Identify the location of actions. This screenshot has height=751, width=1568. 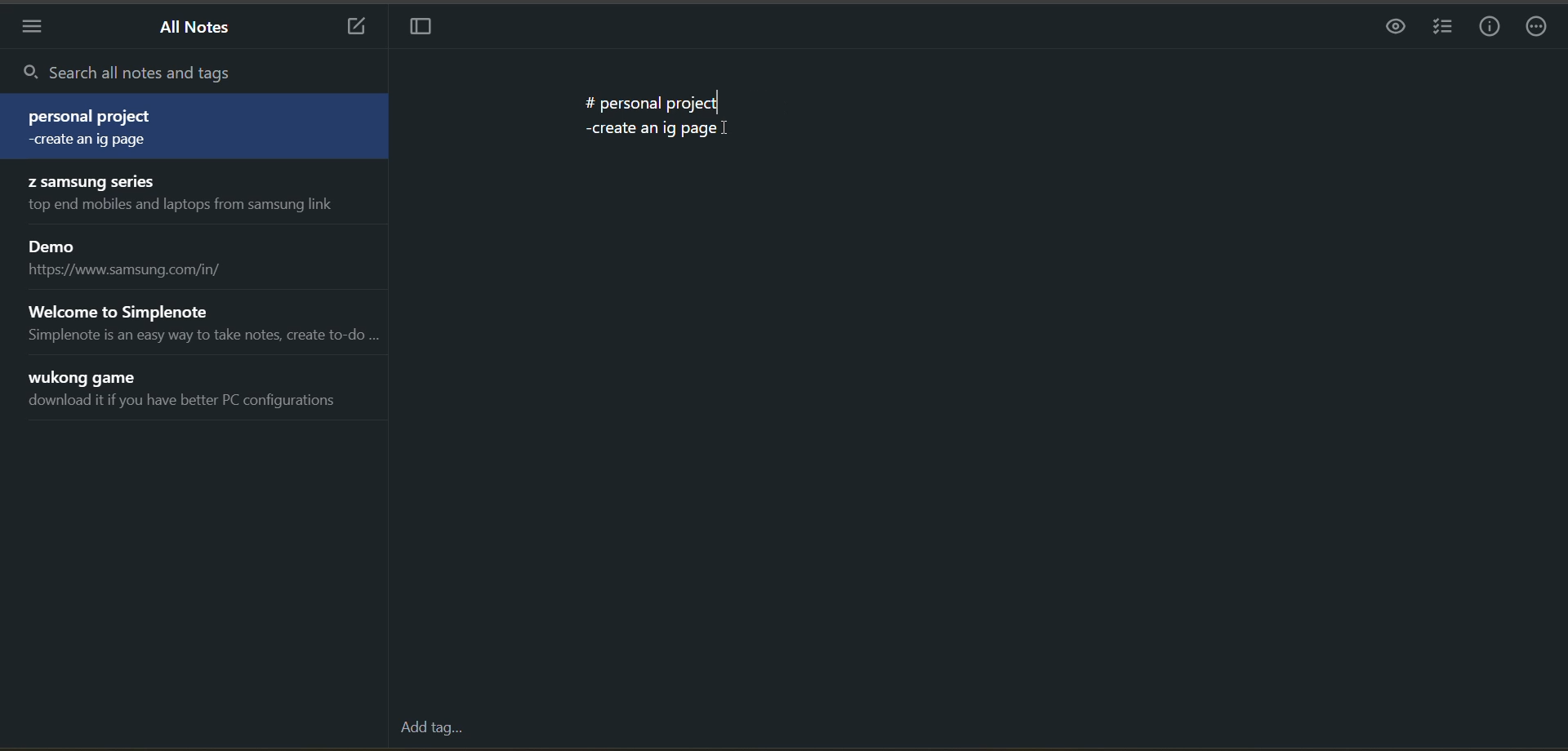
(1539, 28).